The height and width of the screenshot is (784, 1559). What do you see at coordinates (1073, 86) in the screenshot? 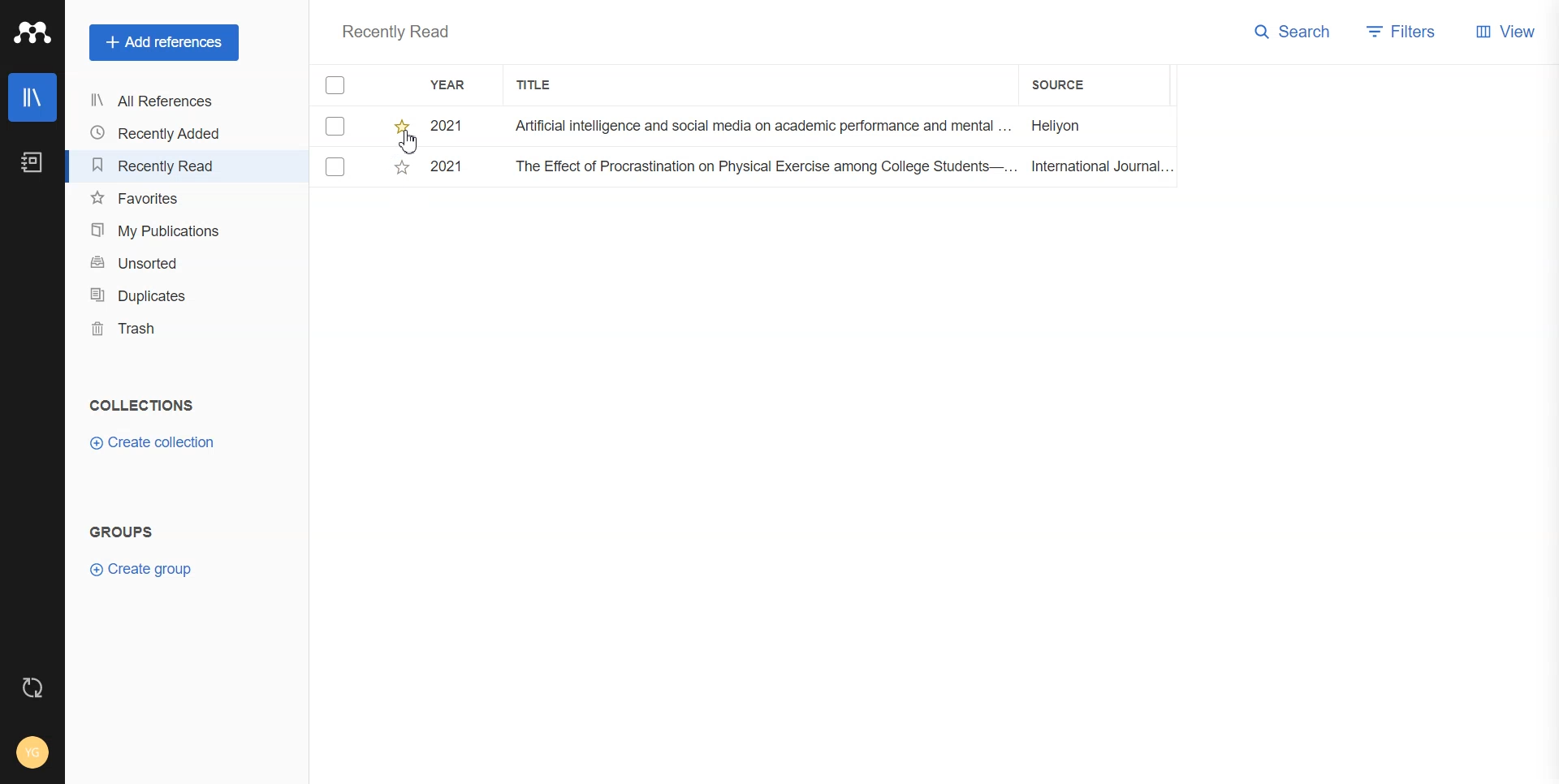
I see `Source` at bounding box center [1073, 86].